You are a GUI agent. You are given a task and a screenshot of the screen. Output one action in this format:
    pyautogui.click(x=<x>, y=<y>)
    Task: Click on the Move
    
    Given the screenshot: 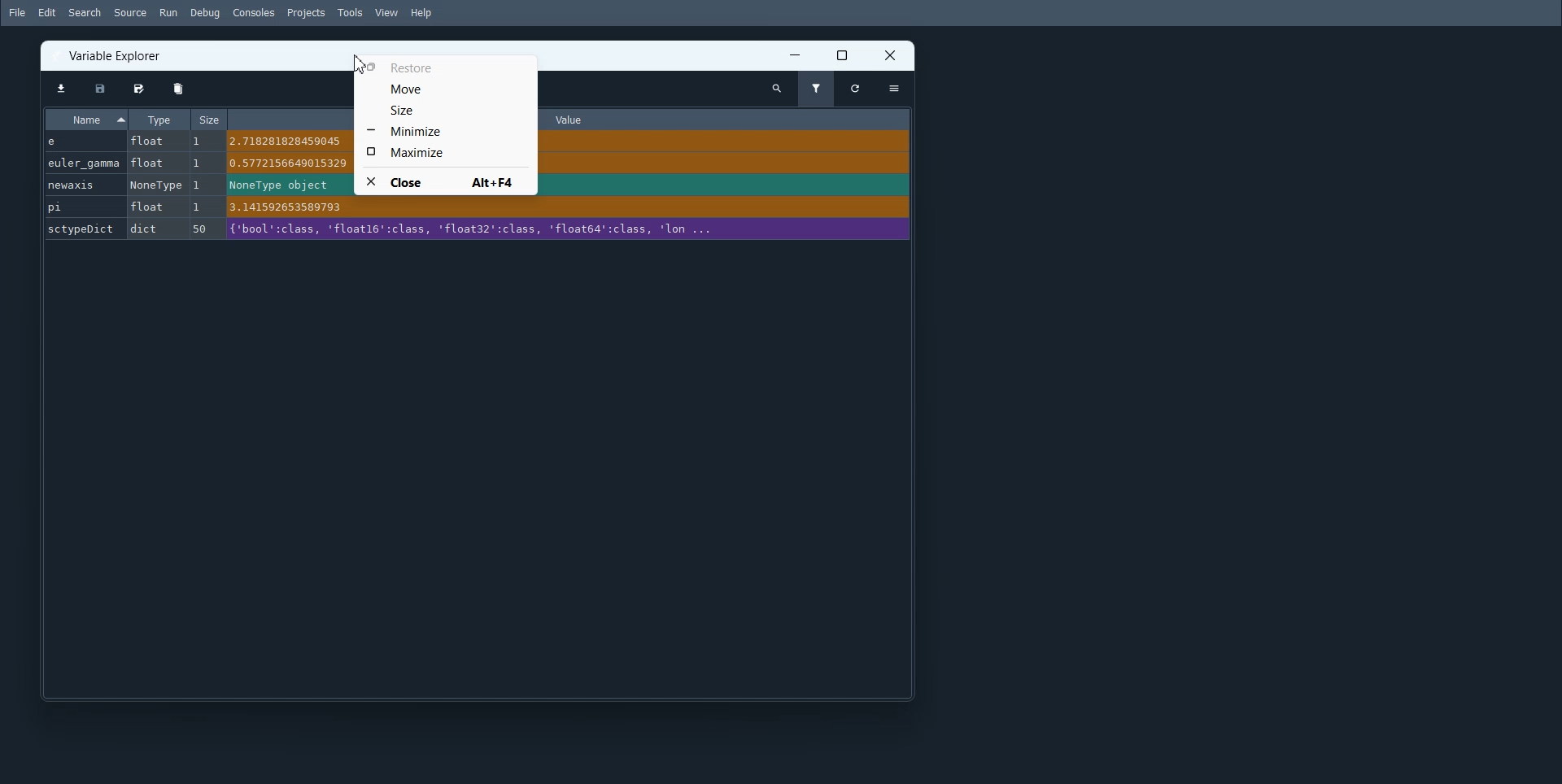 What is the action you would take?
    pyautogui.click(x=446, y=89)
    